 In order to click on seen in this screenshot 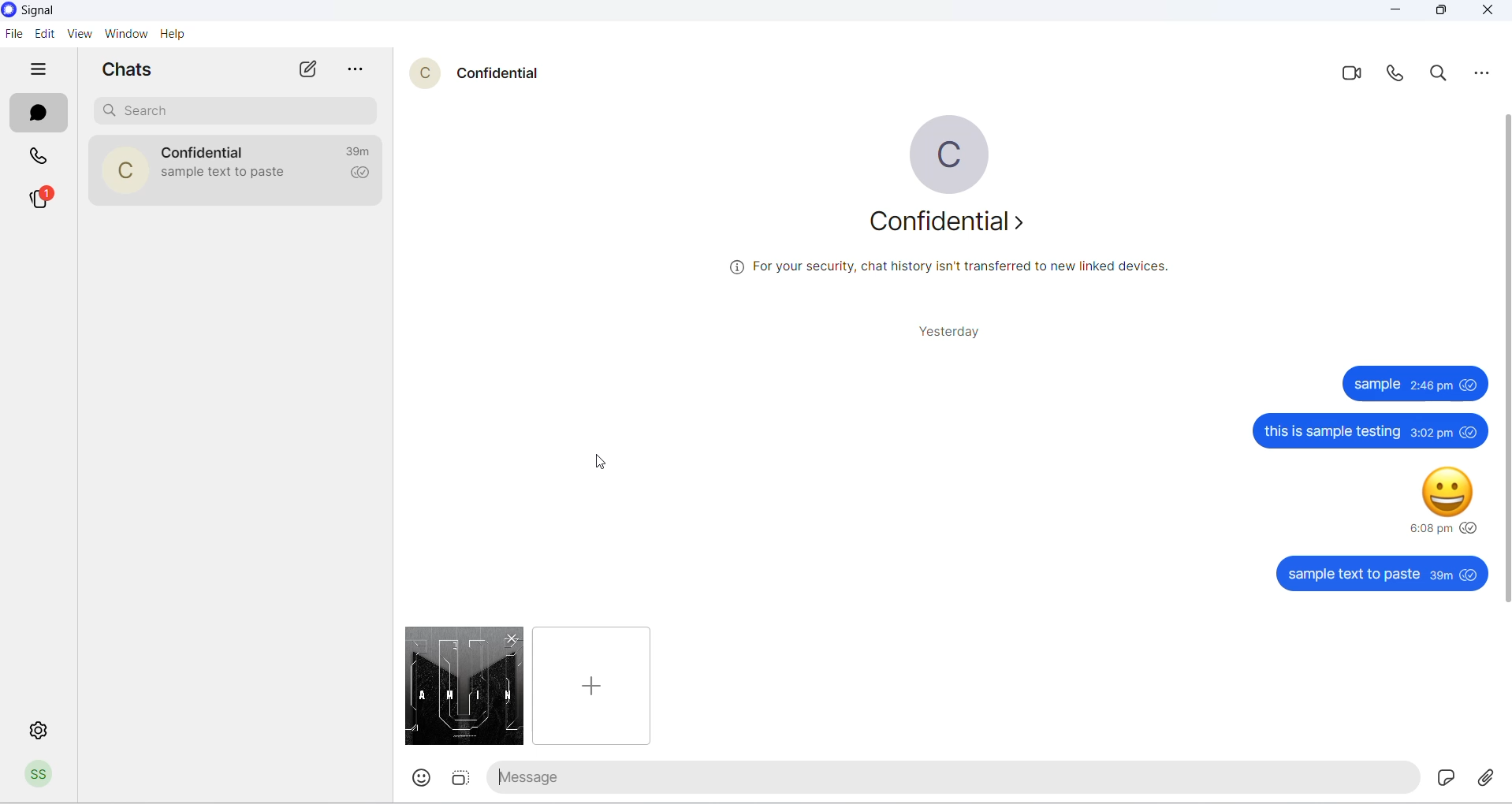, I will do `click(1472, 434)`.